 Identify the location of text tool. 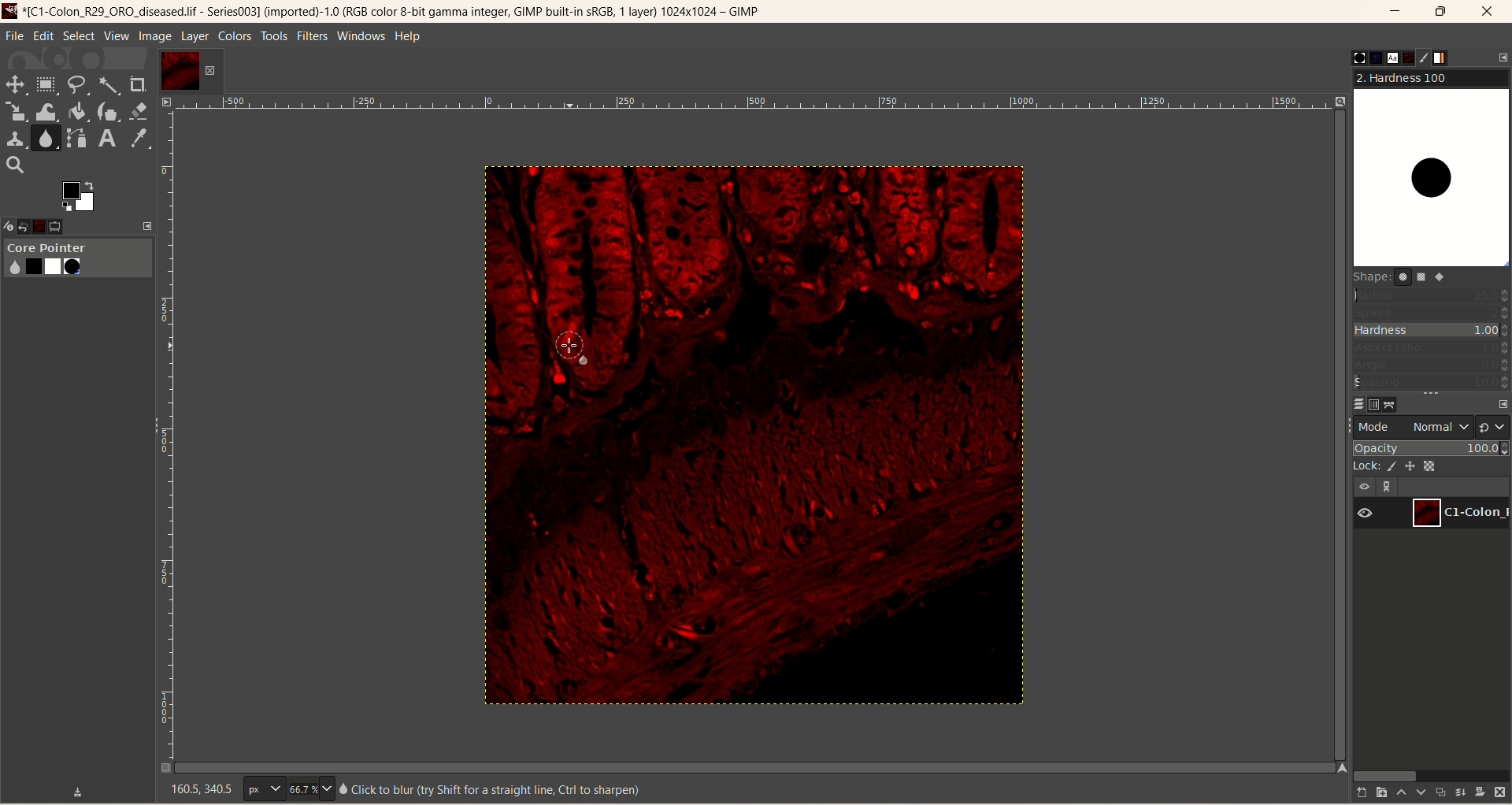
(106, 139).